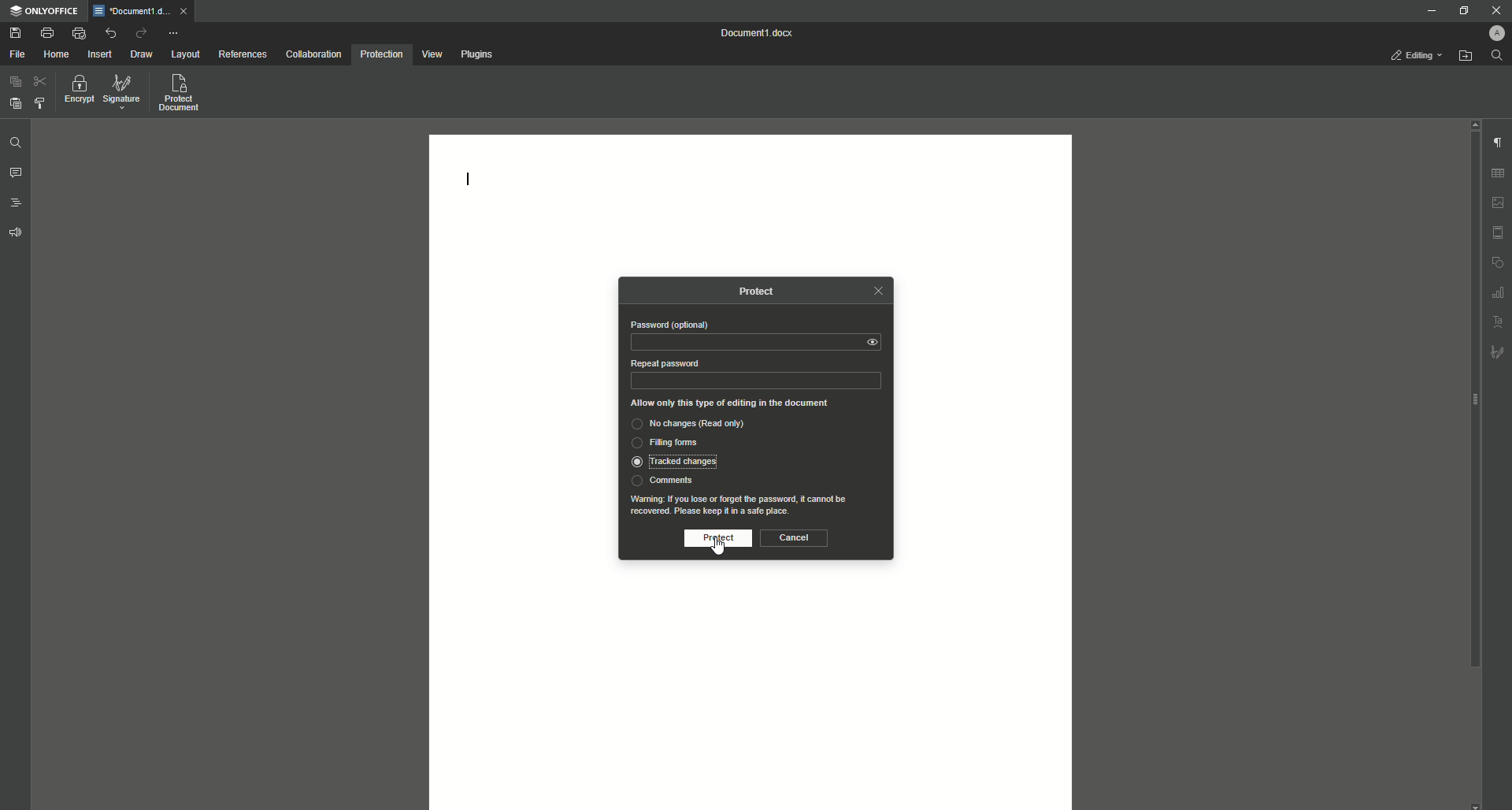 Image resolution: width=1512 pixels, height=810 pixels. What do you see at coordinates (468, 179) in the screenshot?
I see `Text line` at bounding box center [468, 179].